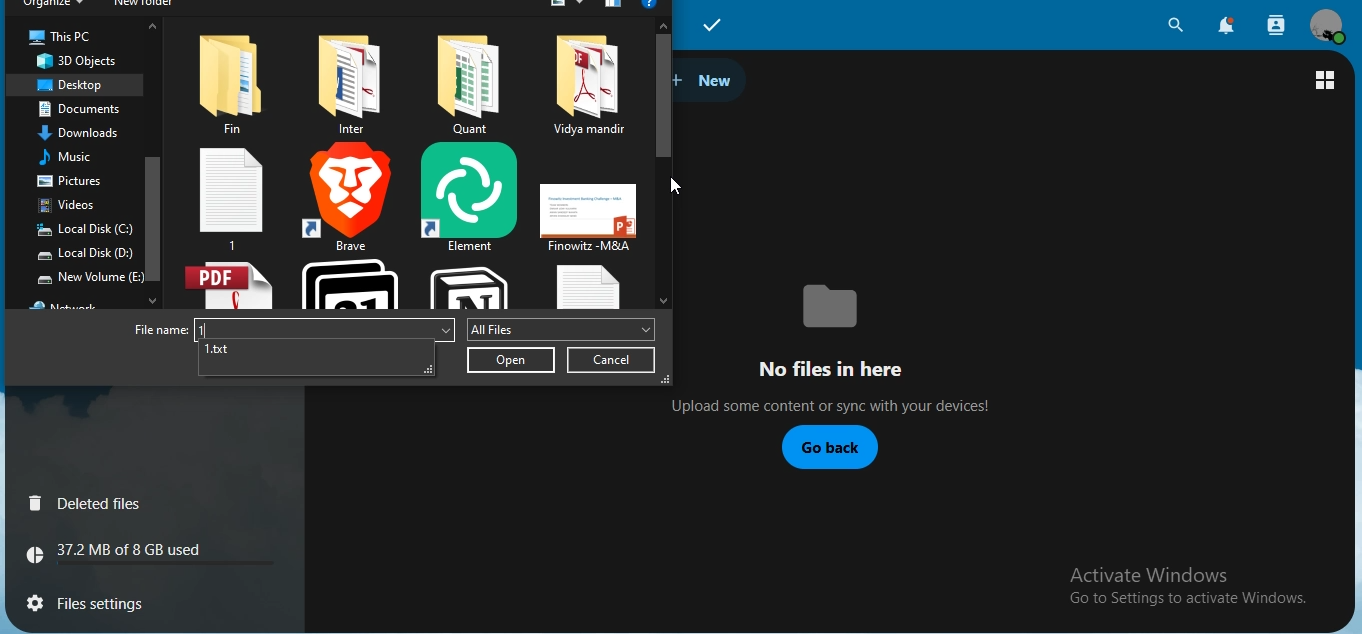 The image size is (1362, 634). Describe the element at coordinates (235, 80) in the screenshot. I see `file` at that location.